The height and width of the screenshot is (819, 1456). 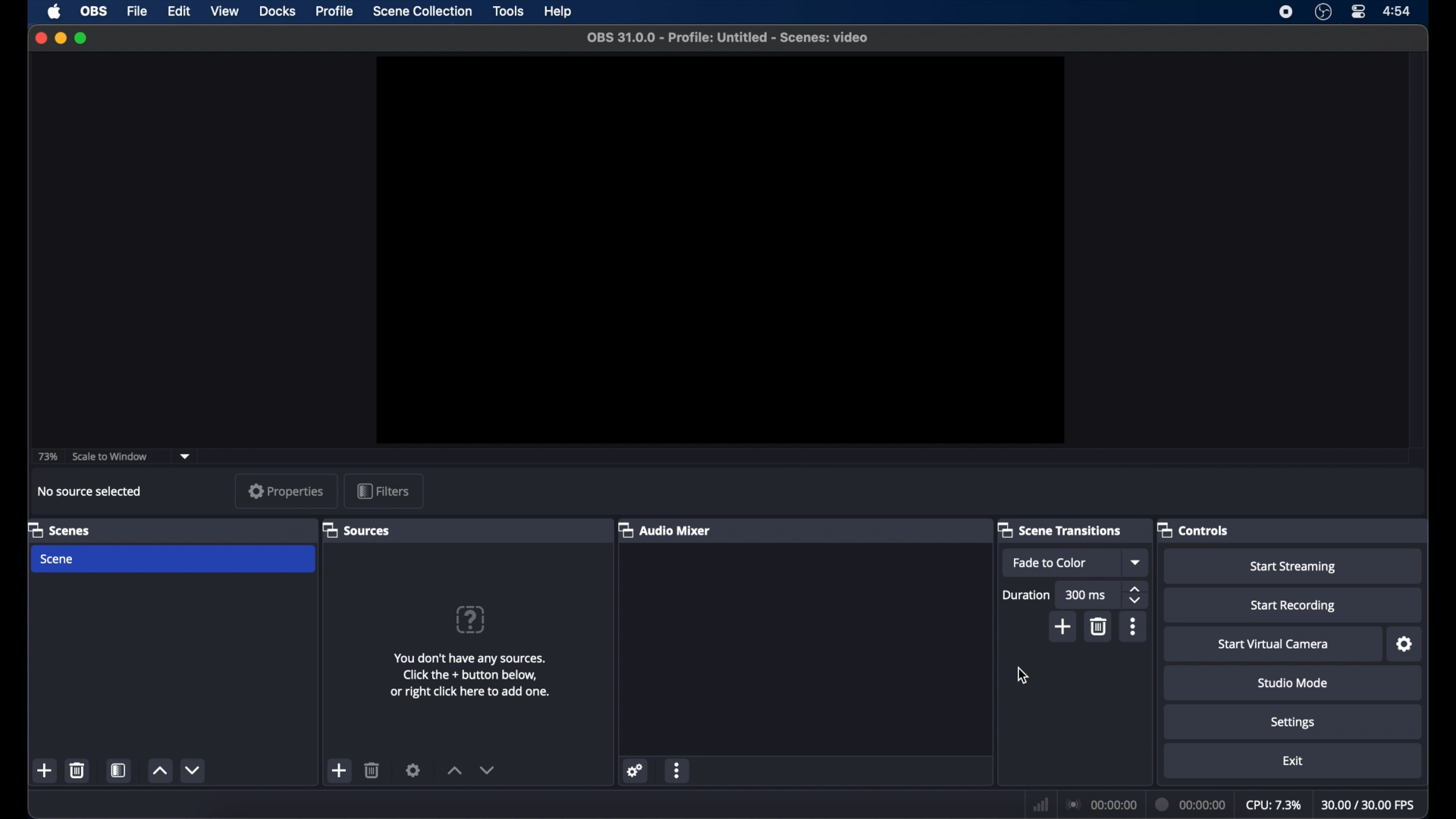 What do you see at coordinates (472, 620) in the screenshot?
I see `question mark icon` at bounding box center [472, 620].